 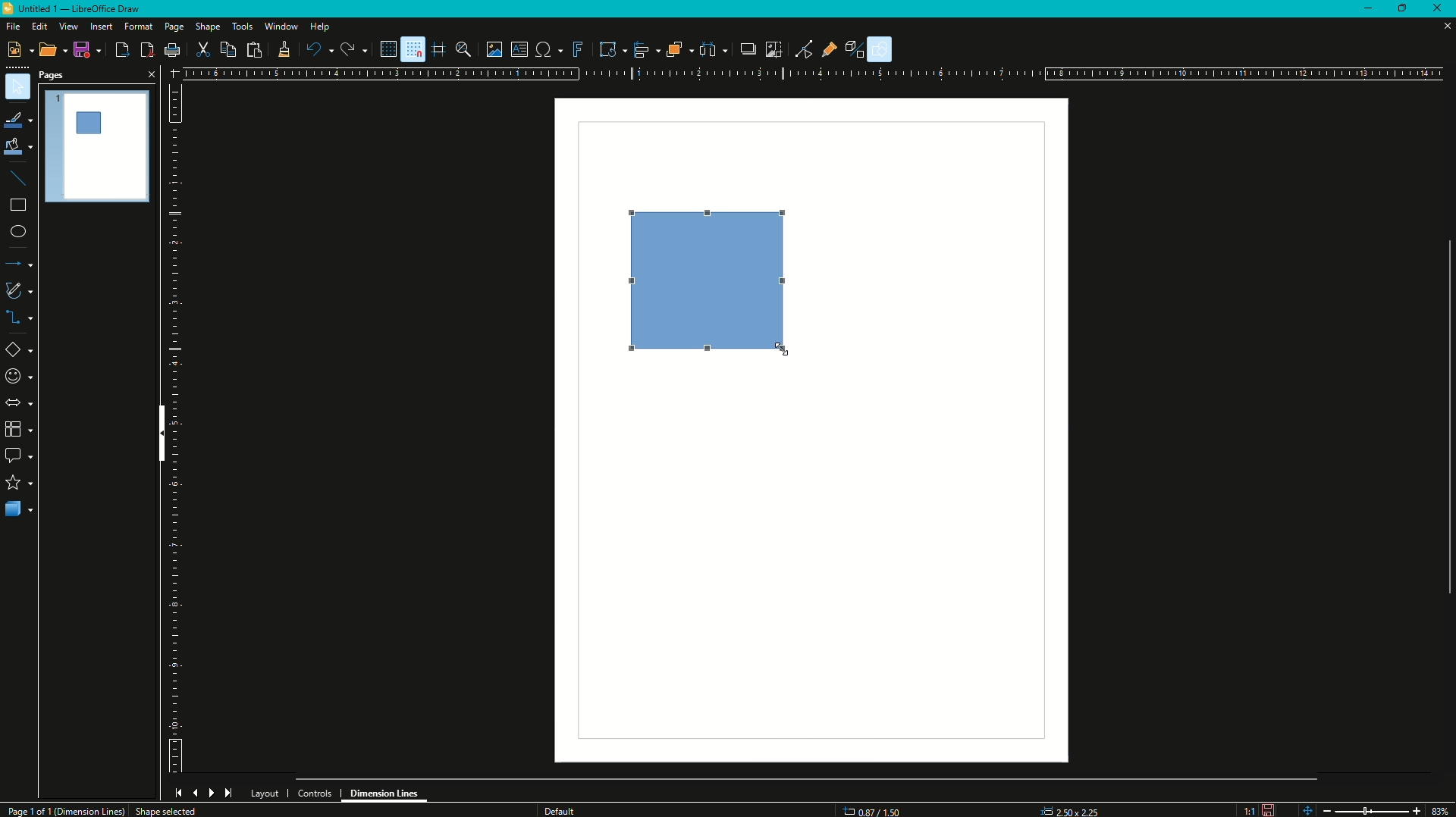 What do you see at coordinates (383, 49) in the screenshot?
I see `Display Grid` at bounding box center [383, 49].